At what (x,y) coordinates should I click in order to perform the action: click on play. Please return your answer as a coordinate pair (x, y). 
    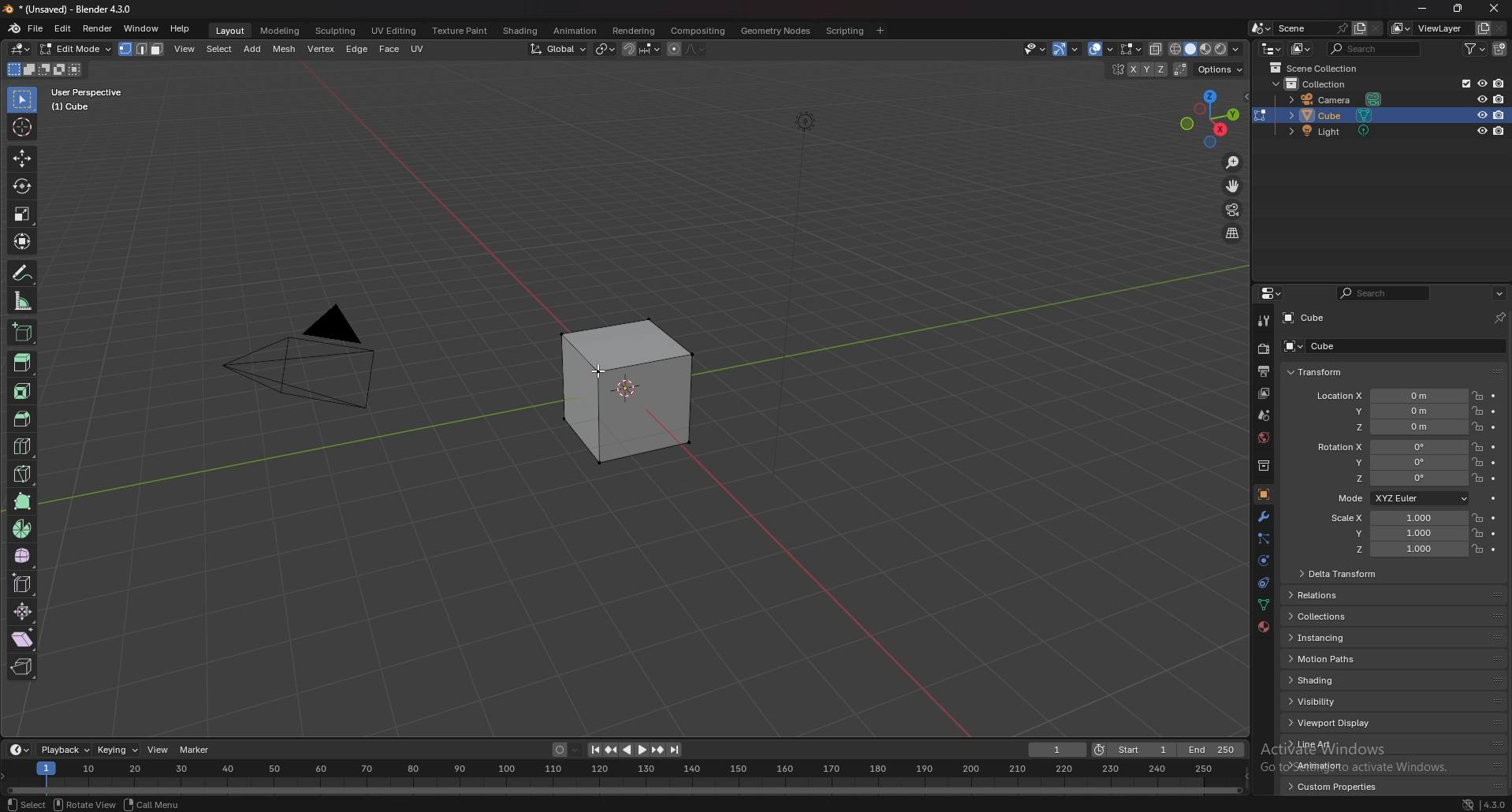
    Looking at the image, I should click on (635, 750).